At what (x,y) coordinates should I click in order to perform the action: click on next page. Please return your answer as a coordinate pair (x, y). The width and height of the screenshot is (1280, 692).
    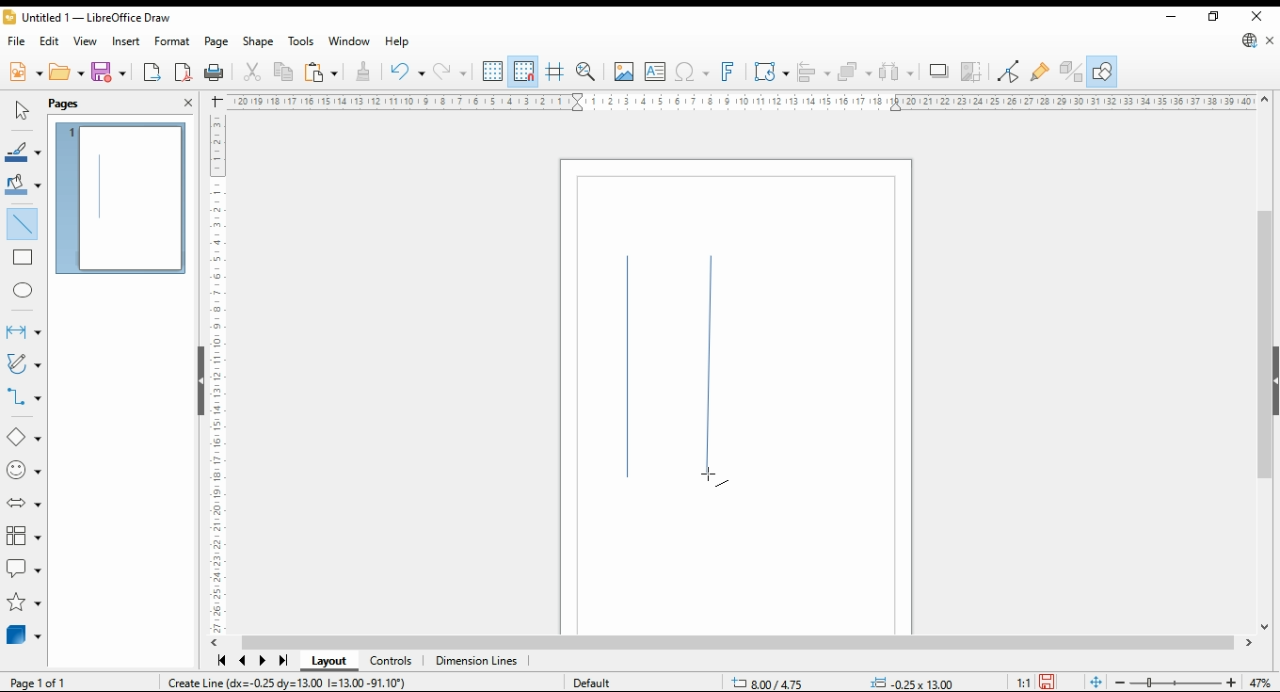
    Looking at the image, I should click on (262, 662).